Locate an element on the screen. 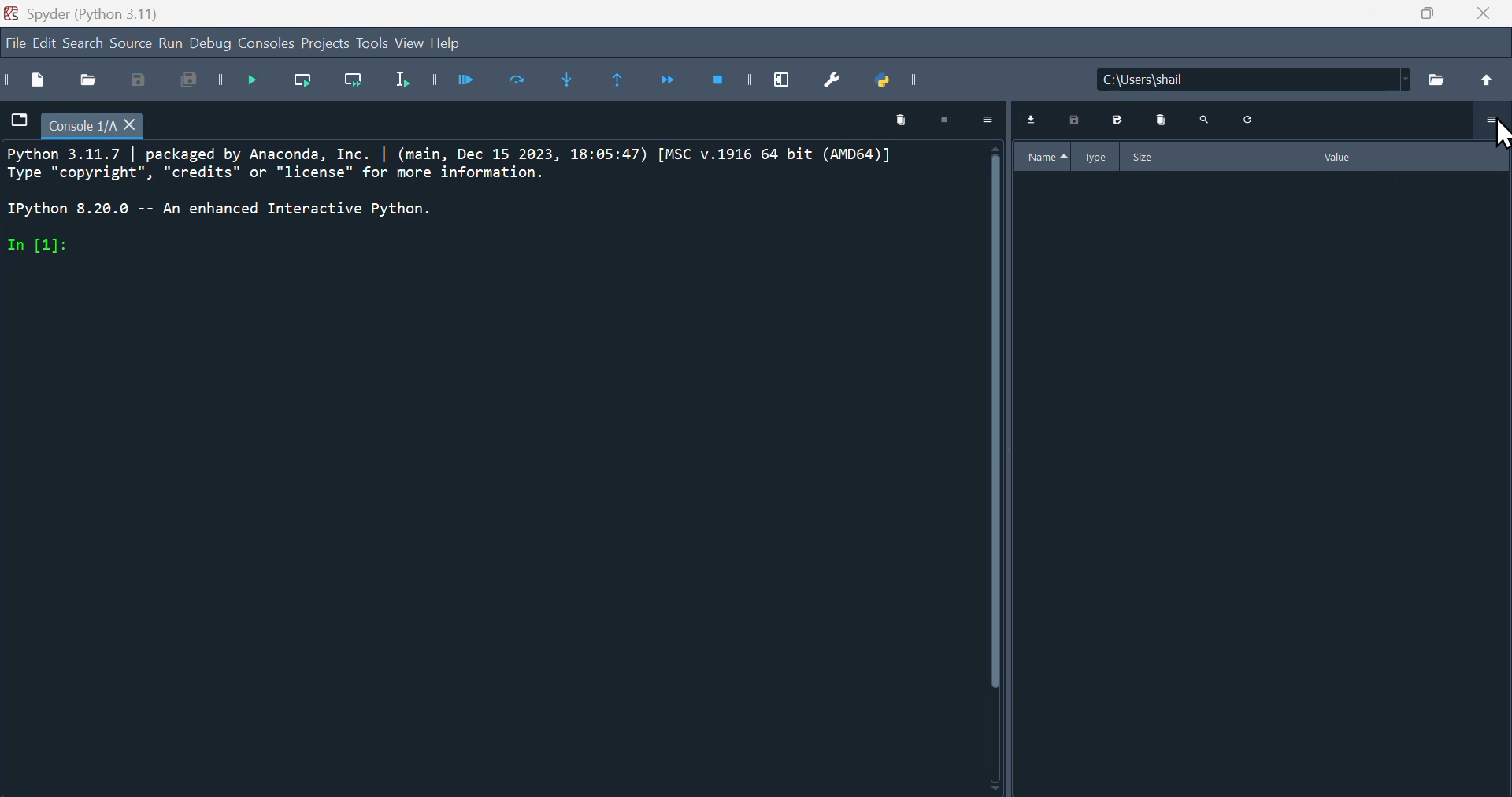  Save all is located at coordinates (196, 83).